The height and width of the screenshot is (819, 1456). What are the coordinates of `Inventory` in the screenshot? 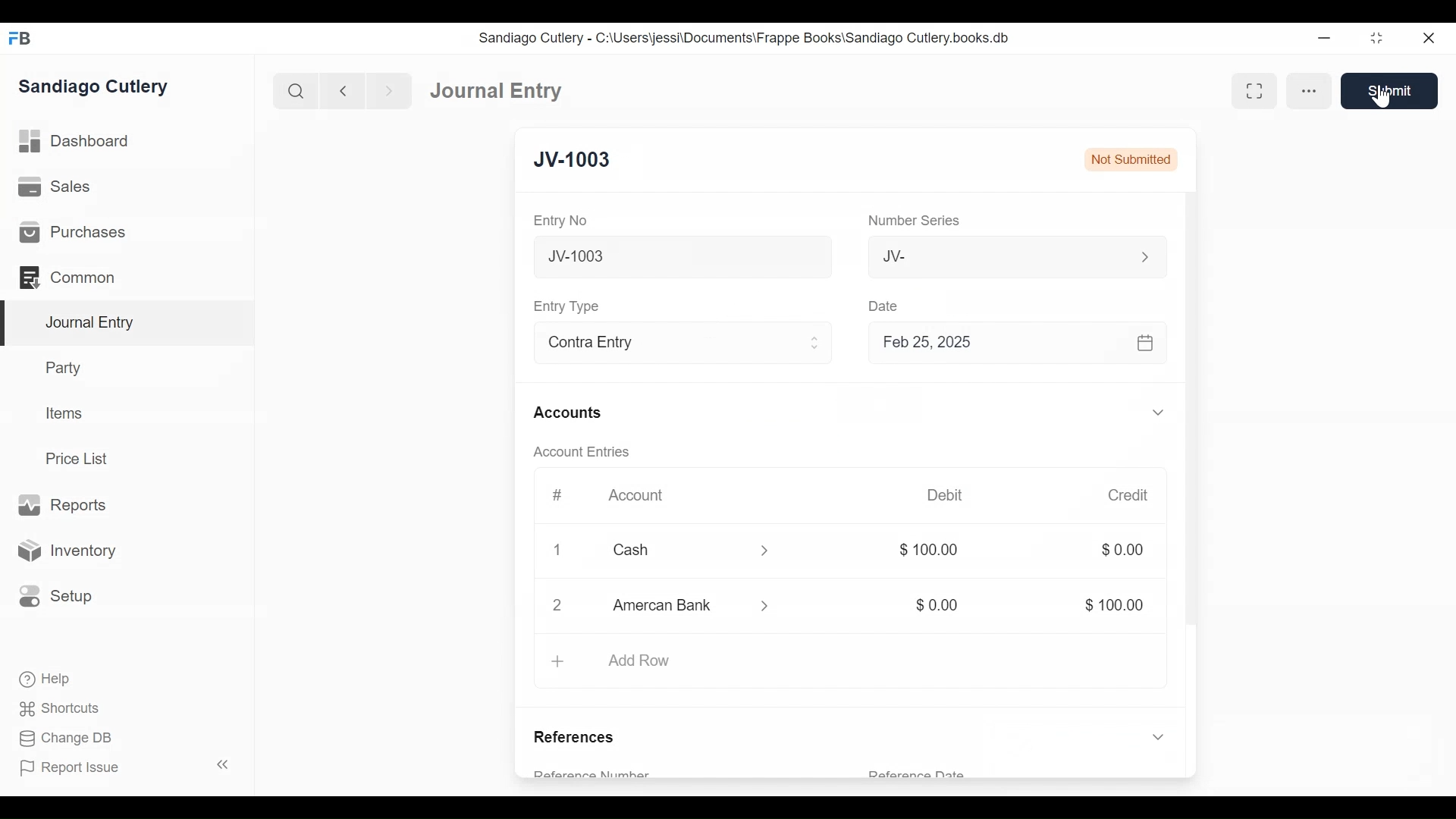 It's located at (71, 550).